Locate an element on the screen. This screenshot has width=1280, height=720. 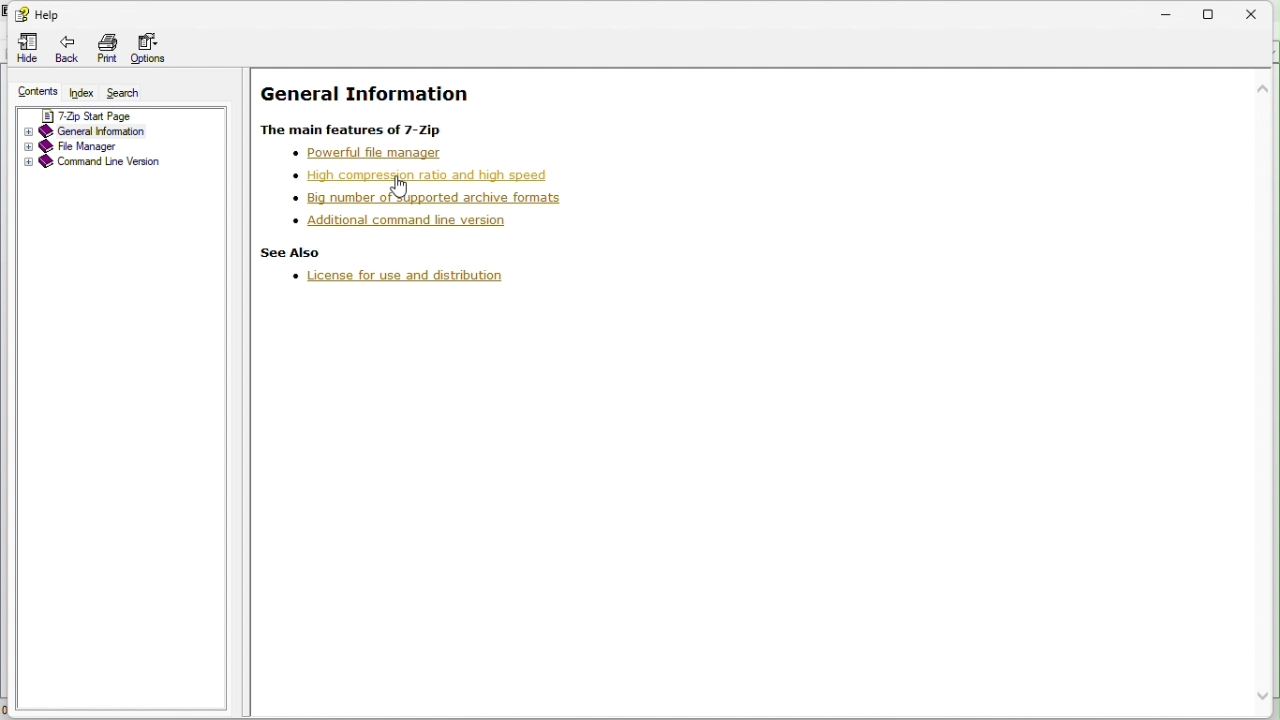
restore is located at coordinates (1219, 10).